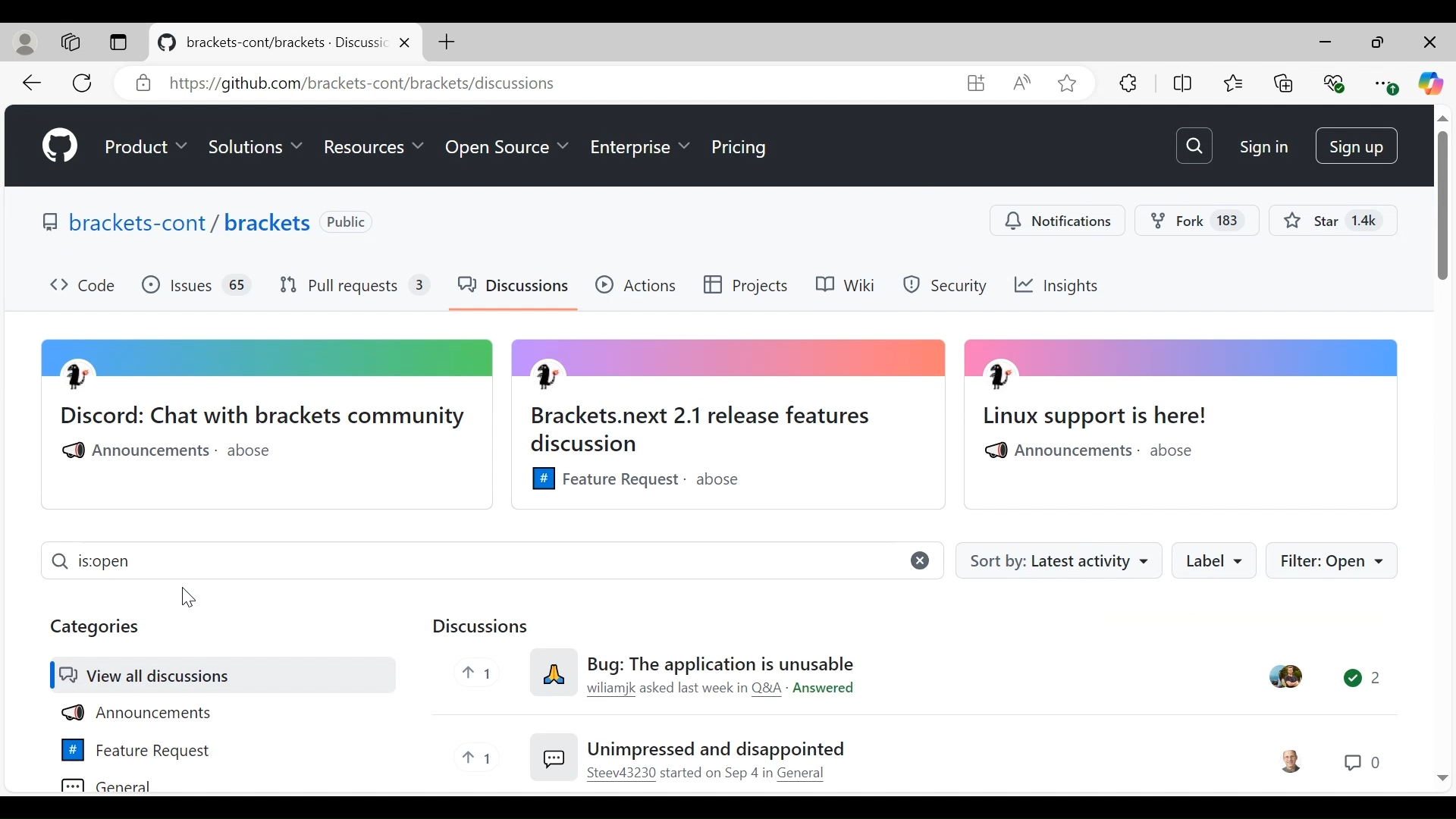 This screenshot has width=1456, height=819. Describe the element at coordinates (1360, 676) in the screenshot. I see `Chat` at that location.